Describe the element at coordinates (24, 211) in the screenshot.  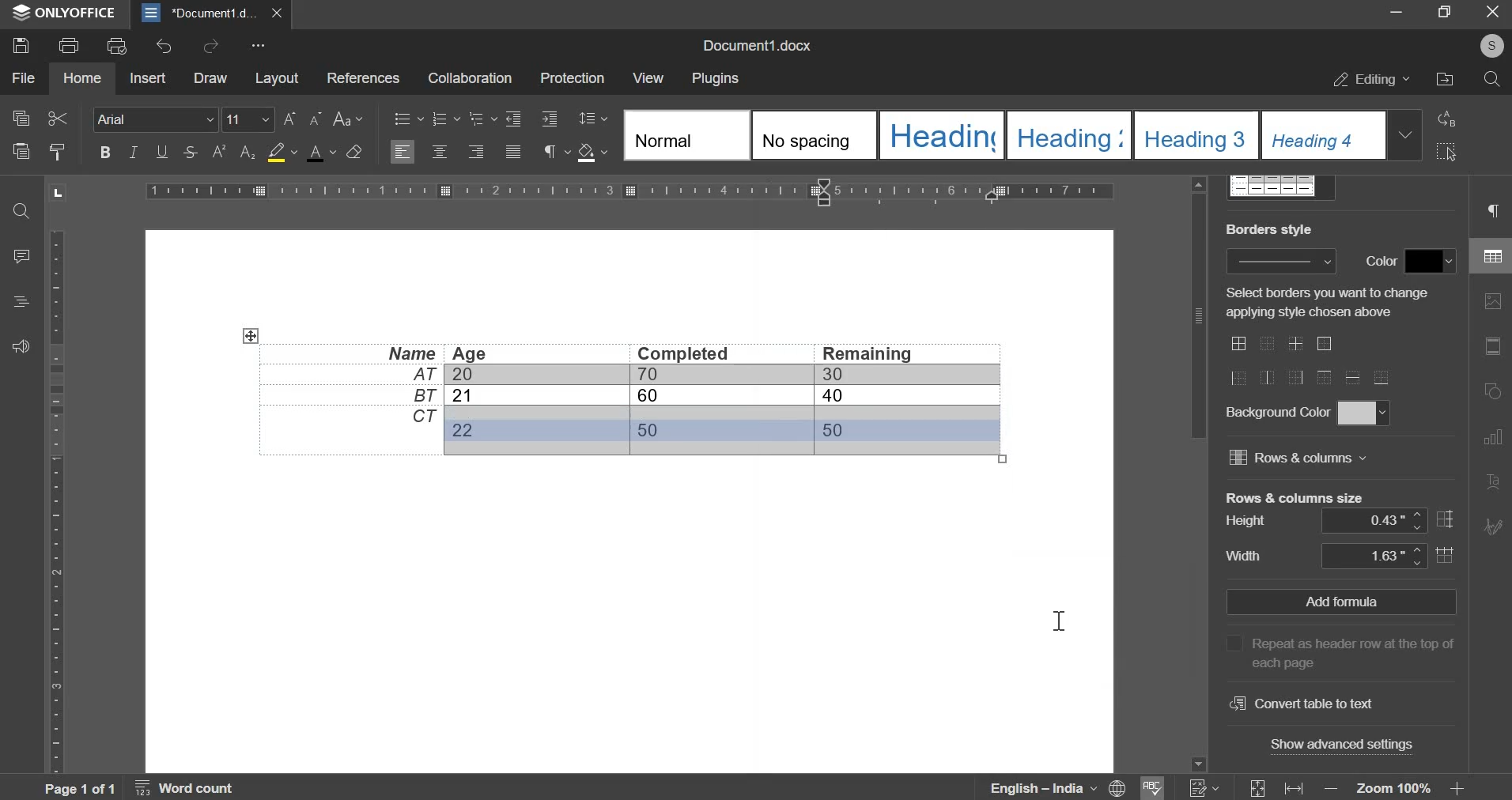
I see `find` at that location.